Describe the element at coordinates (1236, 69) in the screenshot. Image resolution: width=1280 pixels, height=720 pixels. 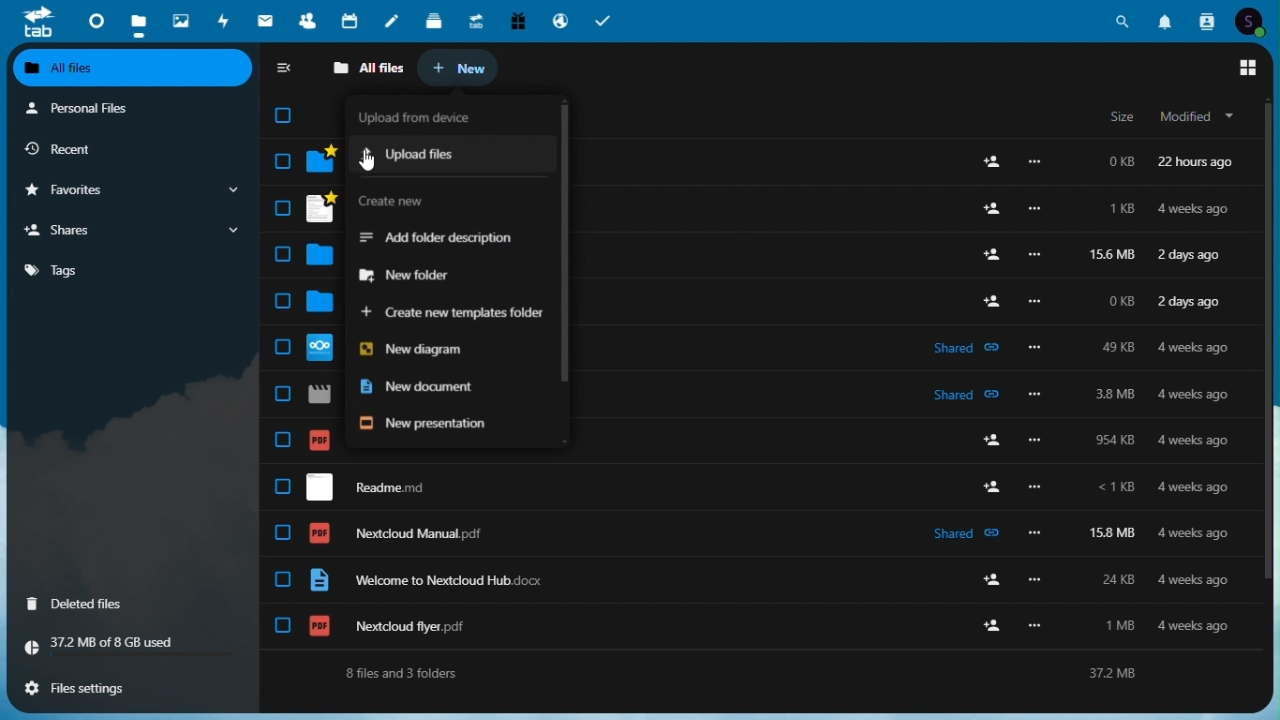
I see `main menu` at that location.